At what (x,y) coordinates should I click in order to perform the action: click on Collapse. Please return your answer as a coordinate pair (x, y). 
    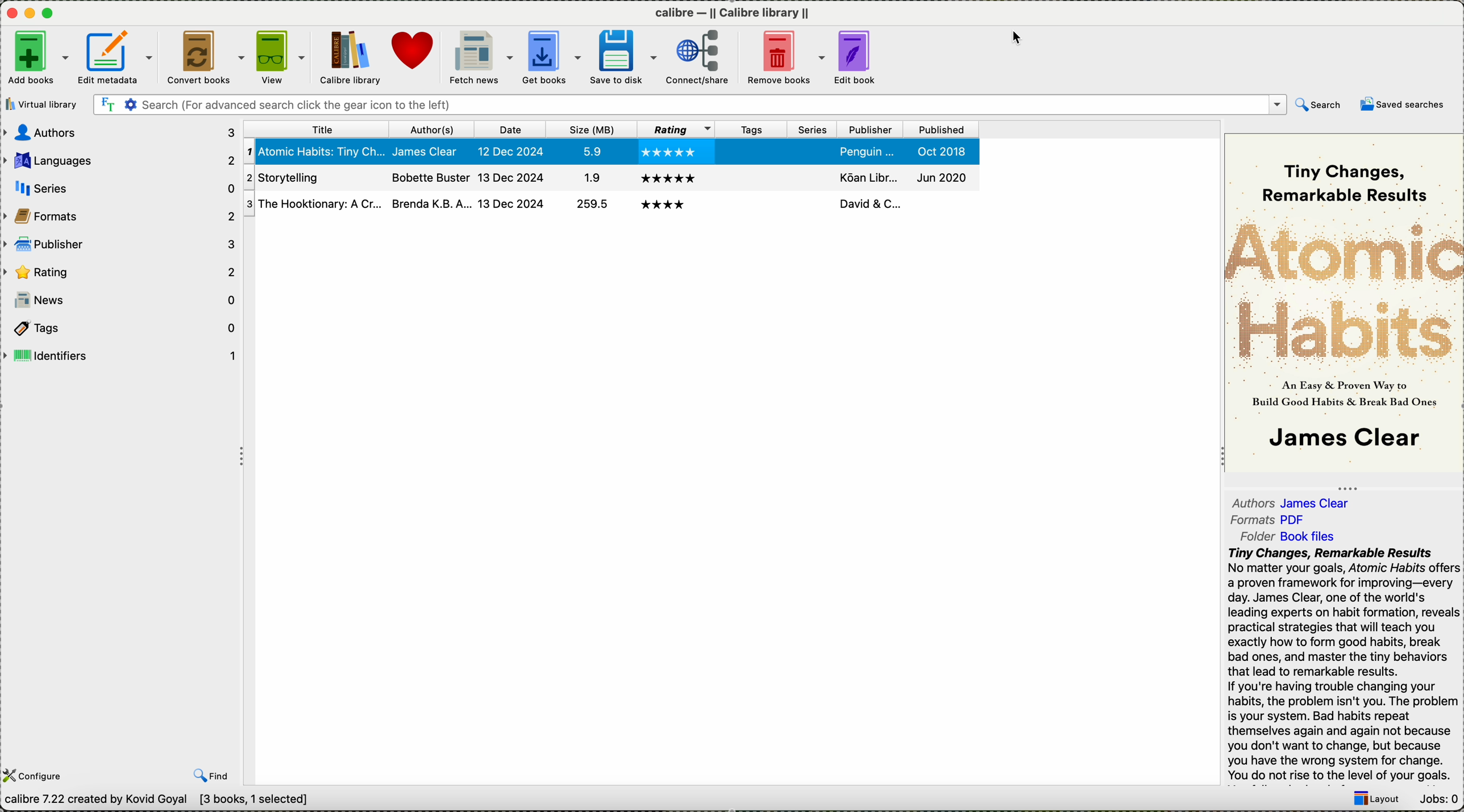
    Looking at the image, I should click on (1218, 458).